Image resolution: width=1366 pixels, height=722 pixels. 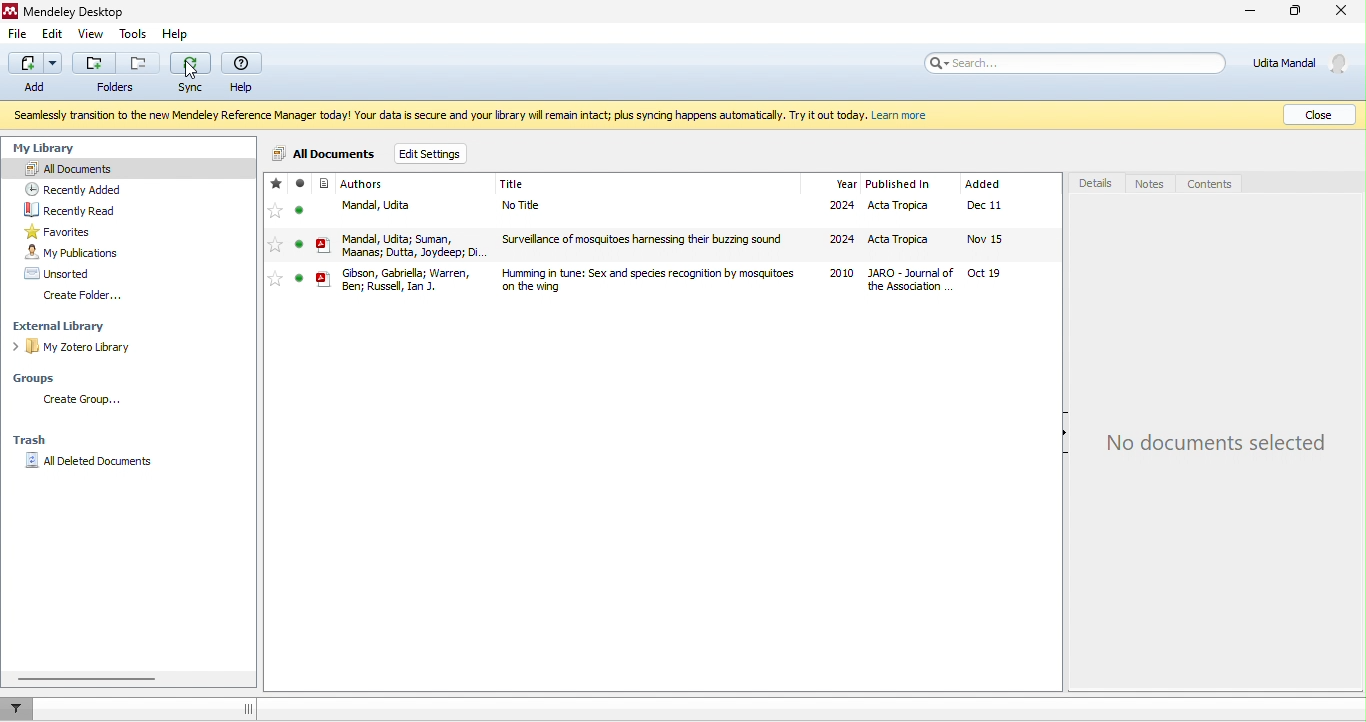 What do you see at coordinates (322, 153) in the screenshot?
I see `all documents` at bounding box center [322, 153].